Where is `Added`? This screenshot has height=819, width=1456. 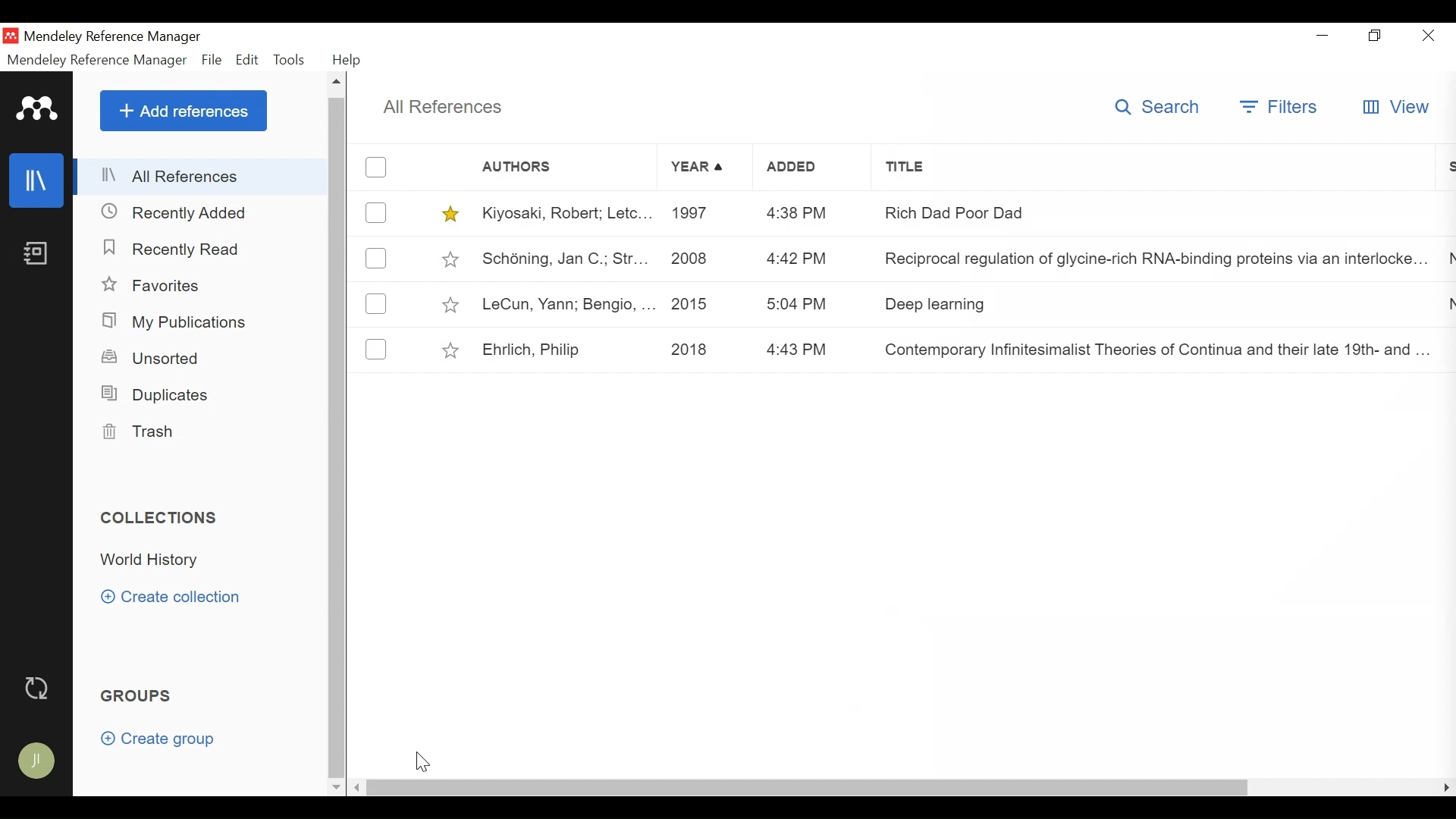 Added is located at coordinates (812, 170).